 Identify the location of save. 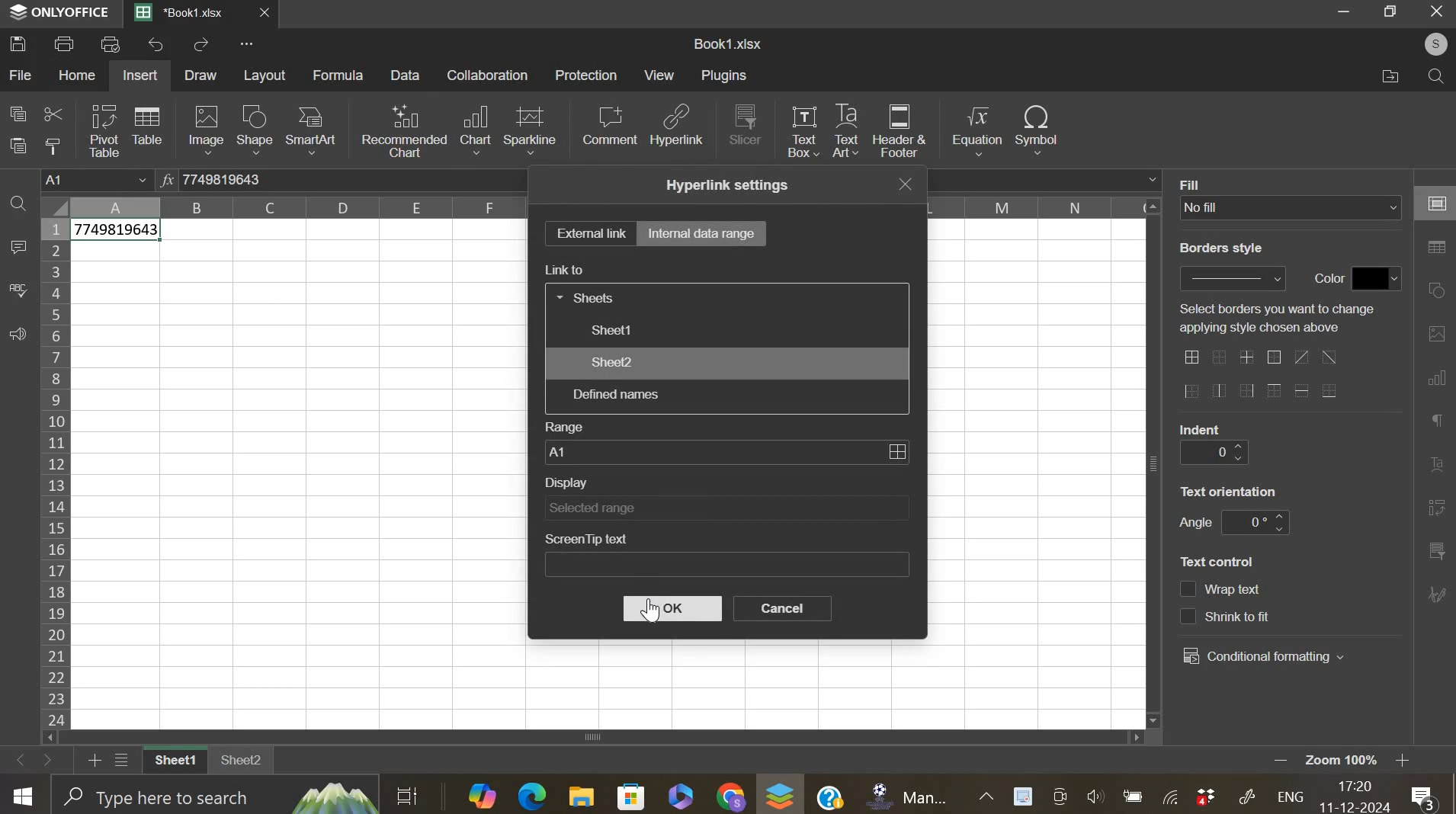
(18, 43).